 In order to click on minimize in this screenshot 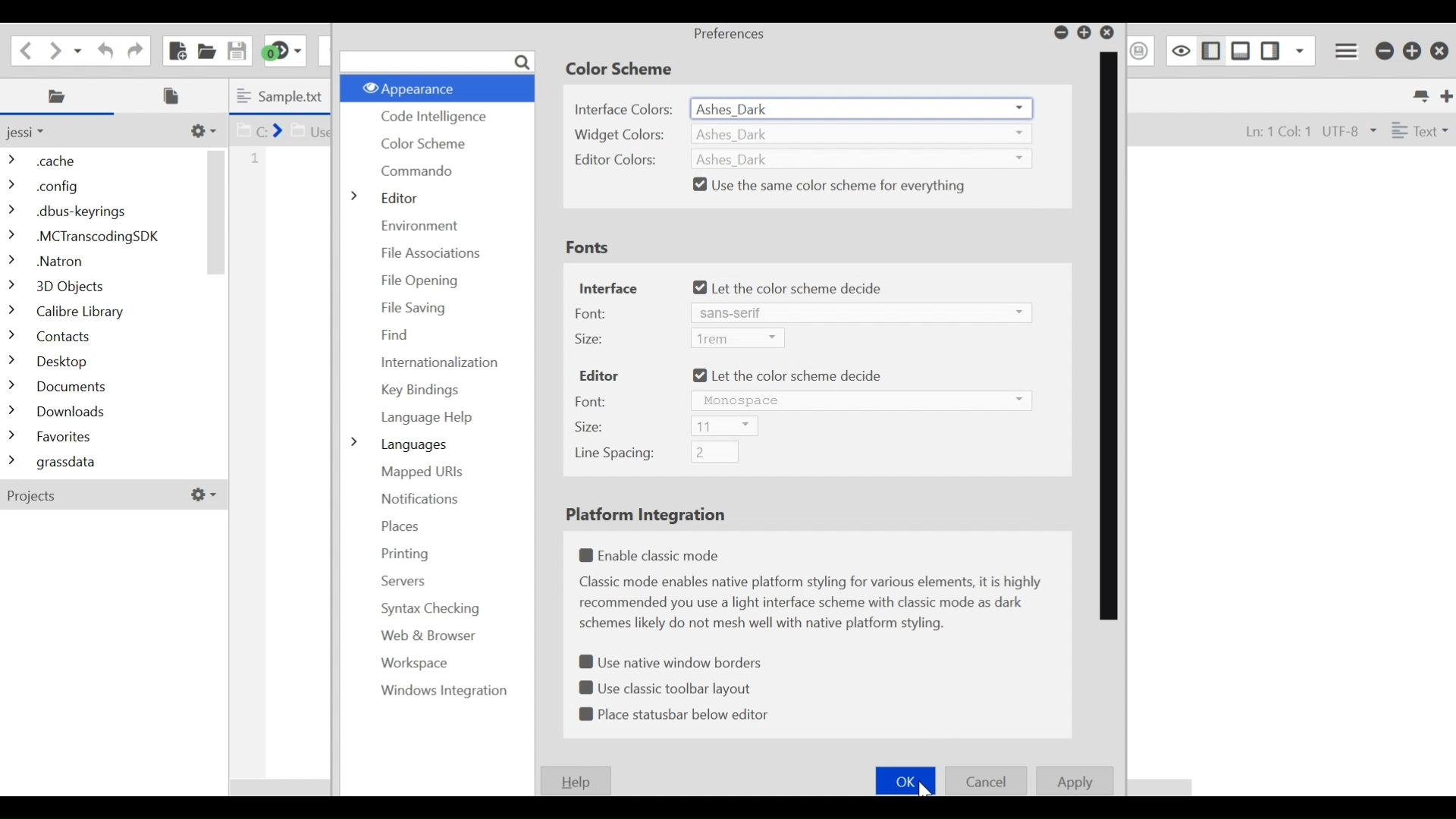, I will do `click(1384, 51)`.